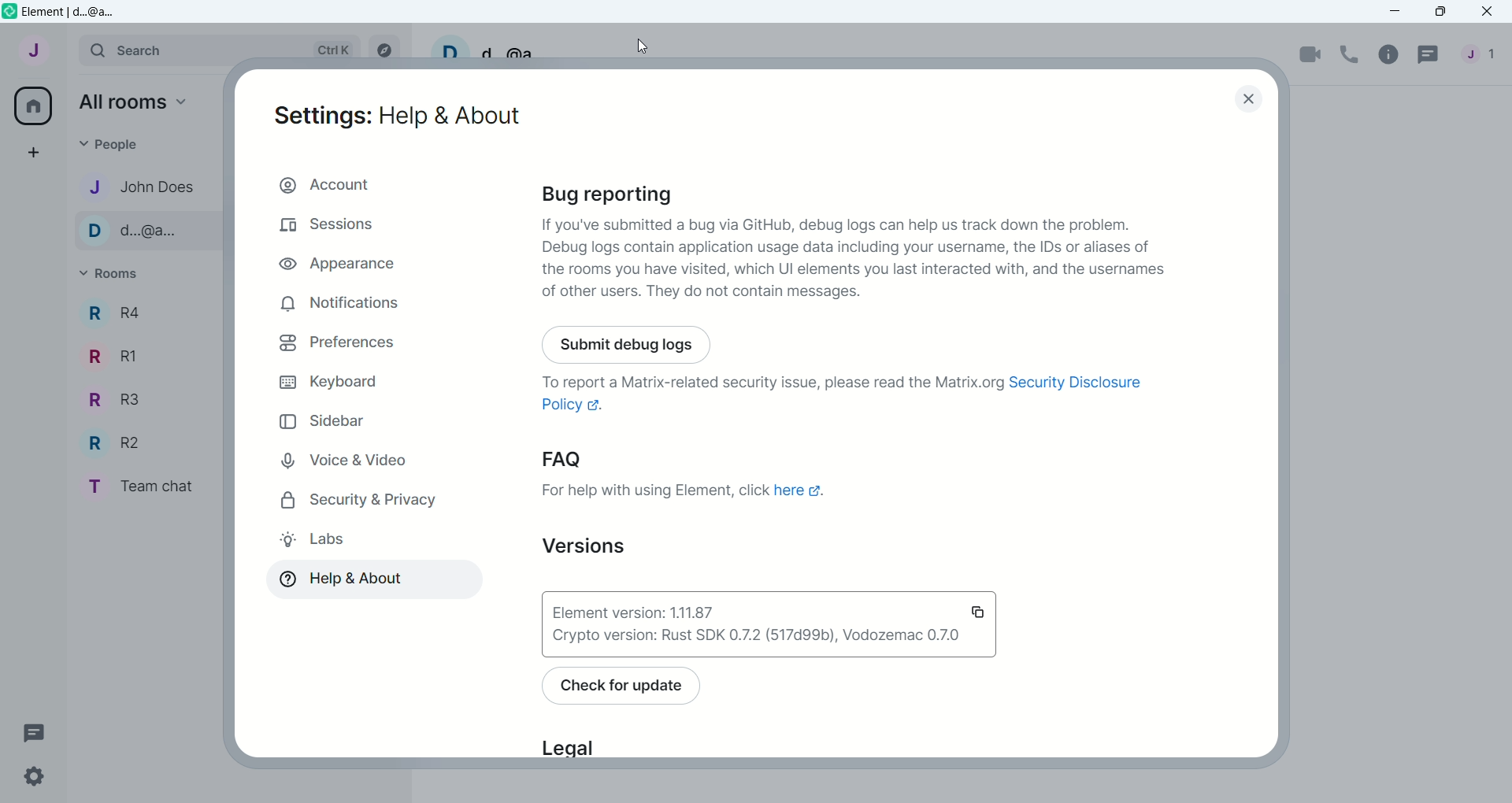 The height and width of the screenshot is (803, 1512). What do you see at coordinates (31, 54) in the screenshot?
I see `User options` at bounding box center [31, 54].